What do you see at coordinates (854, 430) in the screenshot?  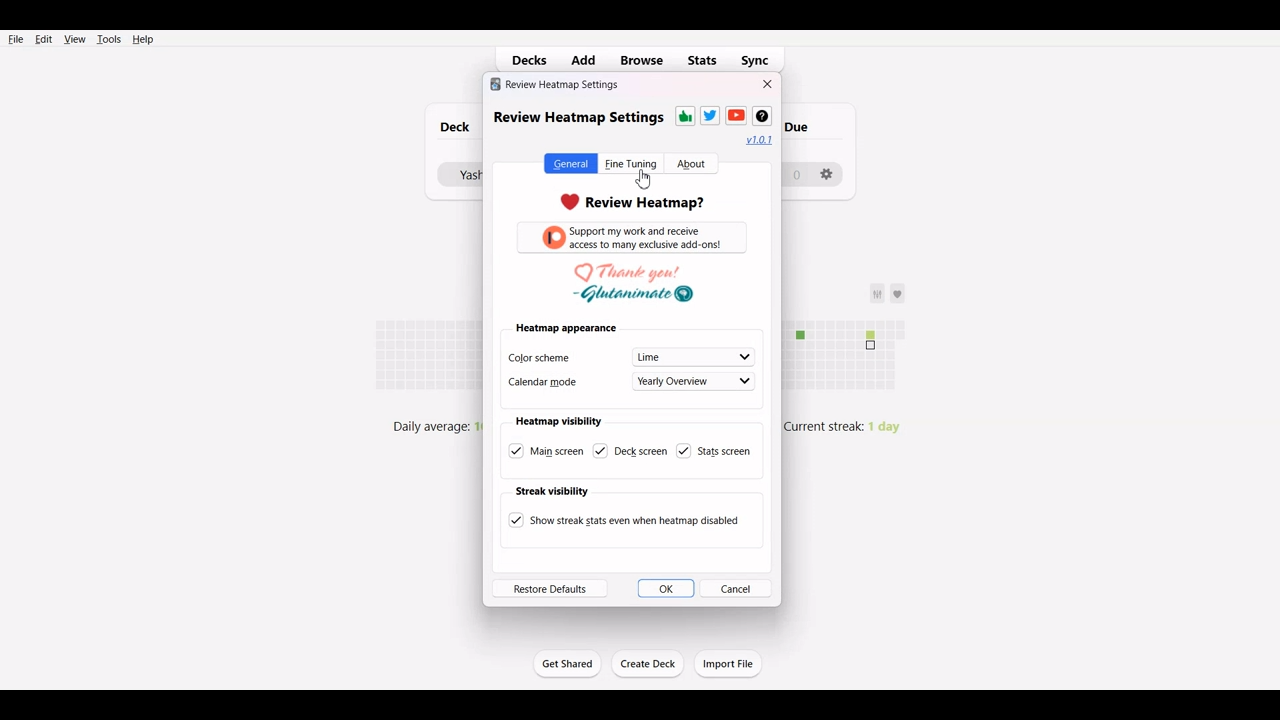 I see `Current streak: 1 day` at bounding box center [854, 430].